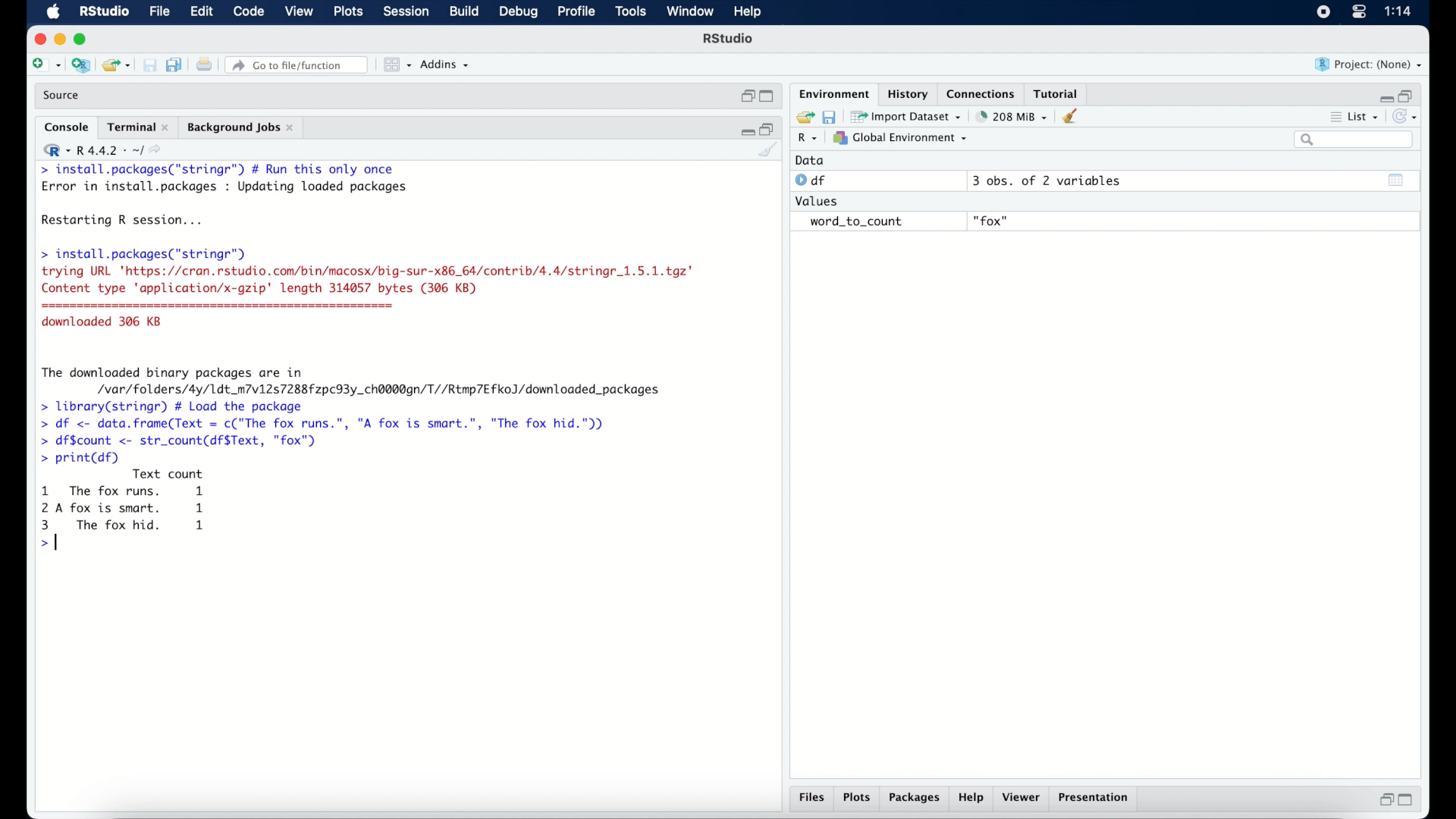 The image size is (1456, 819). What do you see at coordinates (184, 441) in the screenshot?
I see `> df$count <- str_count(df$Text, "fox")|` at bounding box center [184, 441].